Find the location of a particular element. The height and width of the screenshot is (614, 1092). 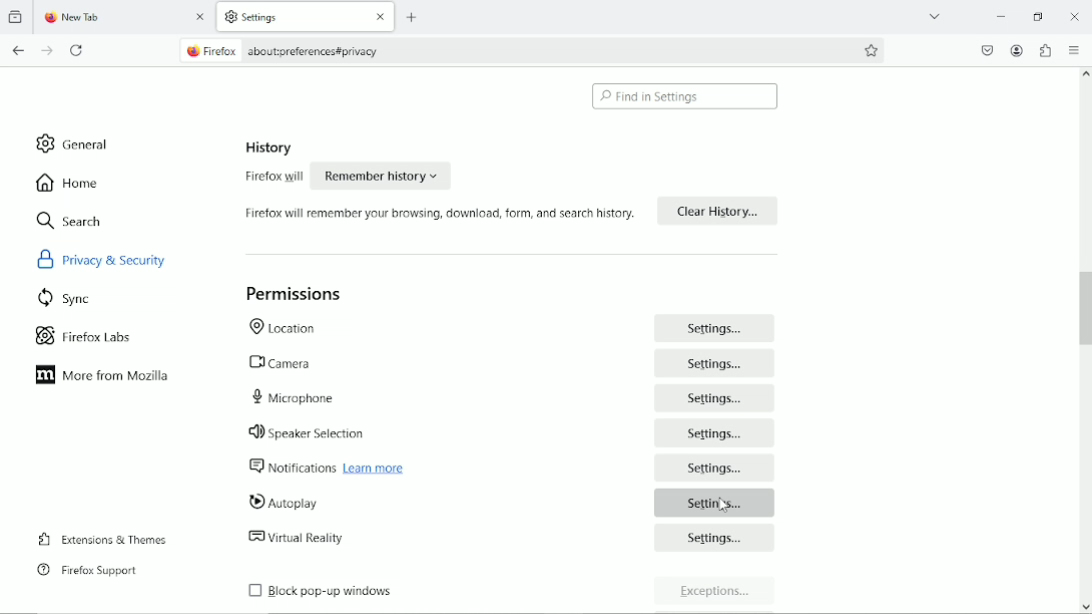

firefox logo is located at coordinates (48, 19).